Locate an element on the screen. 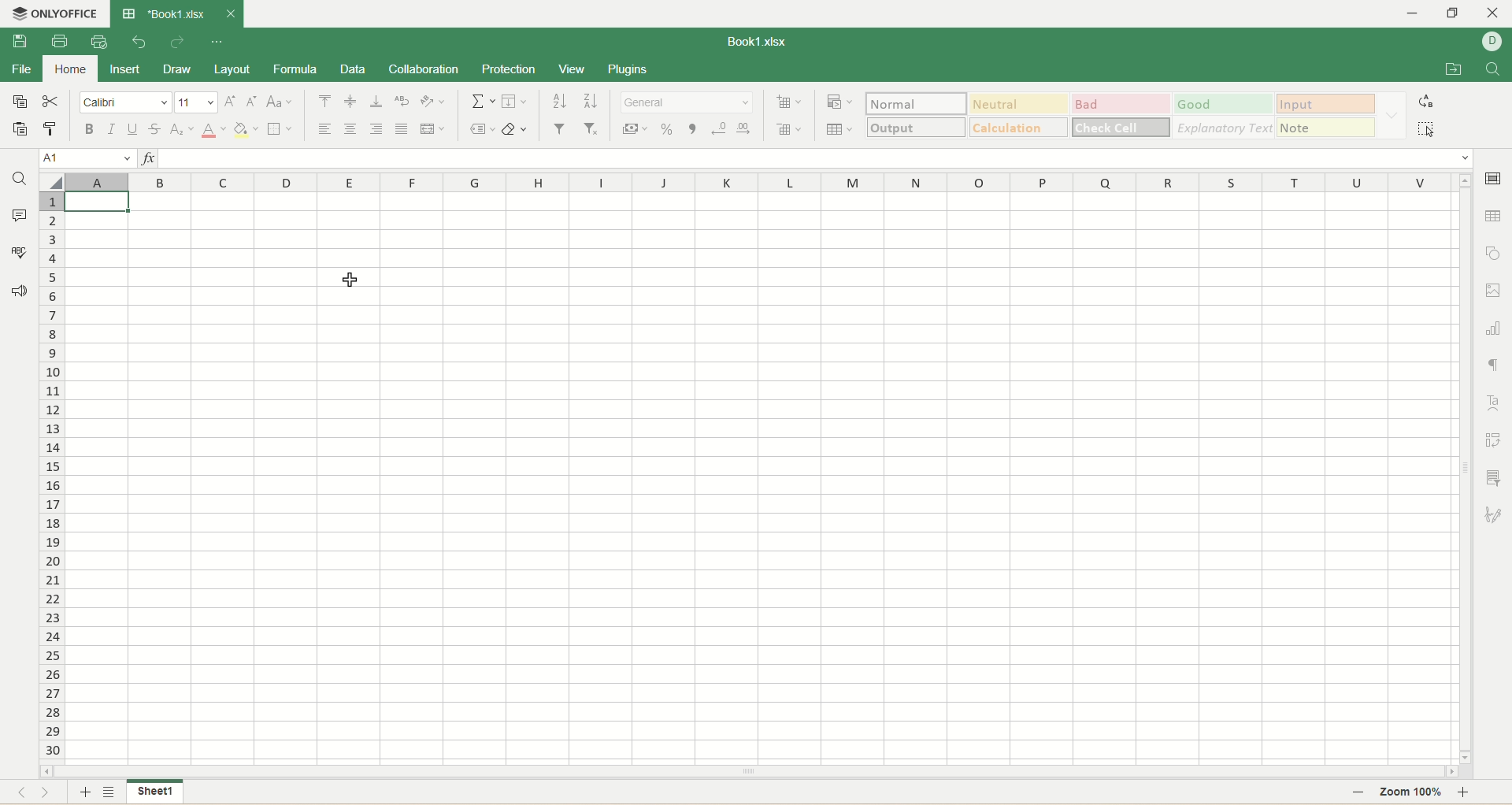 This screenshot has height=805, width=1512. comma style is located at coordinates (689, 129).